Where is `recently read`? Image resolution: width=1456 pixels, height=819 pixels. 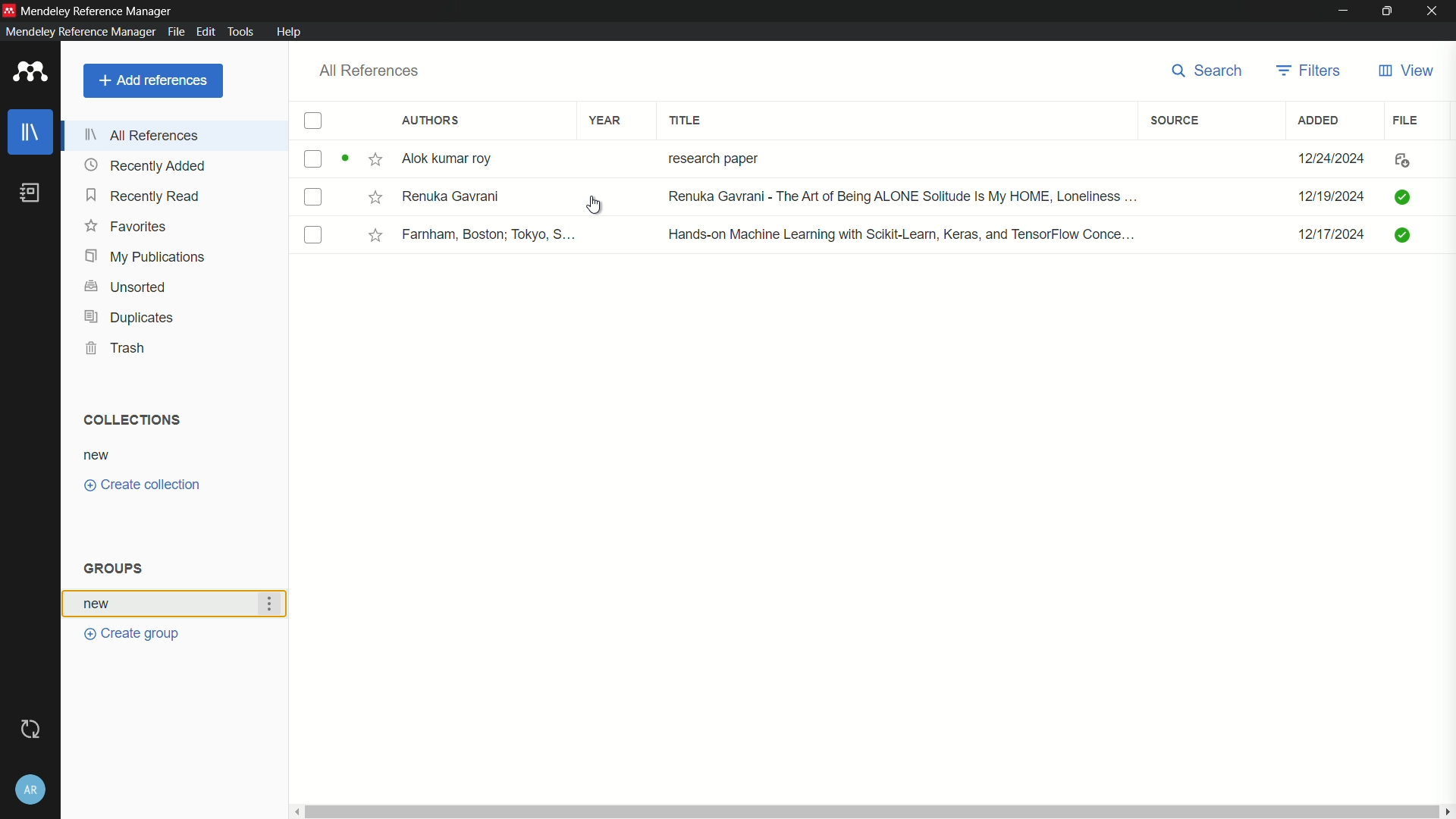
recently read is located at coordinates (144, 197).